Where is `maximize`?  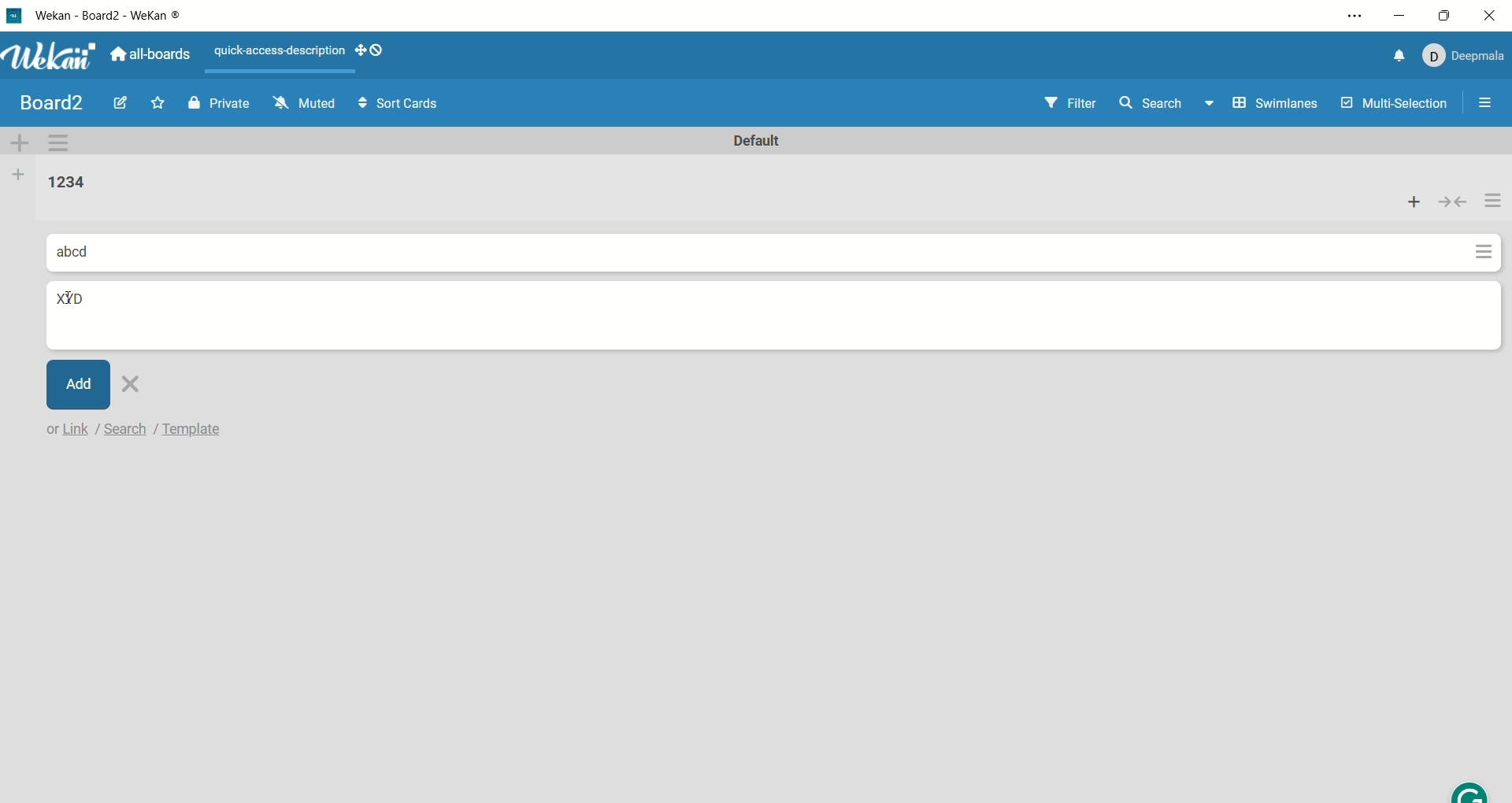
maximize is located at coordinates (1447, 12).